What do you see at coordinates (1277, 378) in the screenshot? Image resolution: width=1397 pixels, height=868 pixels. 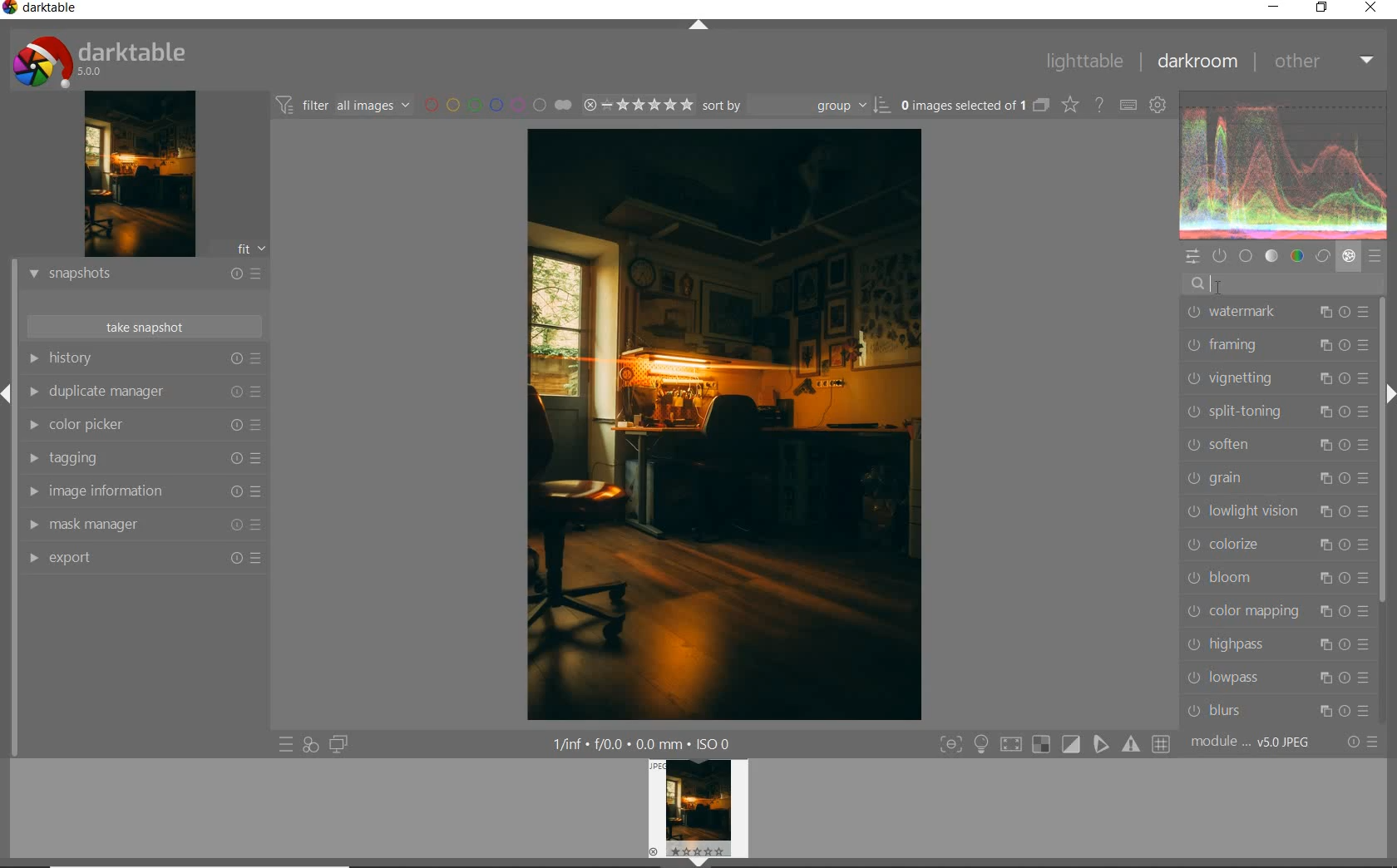 I see `vignetting` at bounding box center [1277, 378].